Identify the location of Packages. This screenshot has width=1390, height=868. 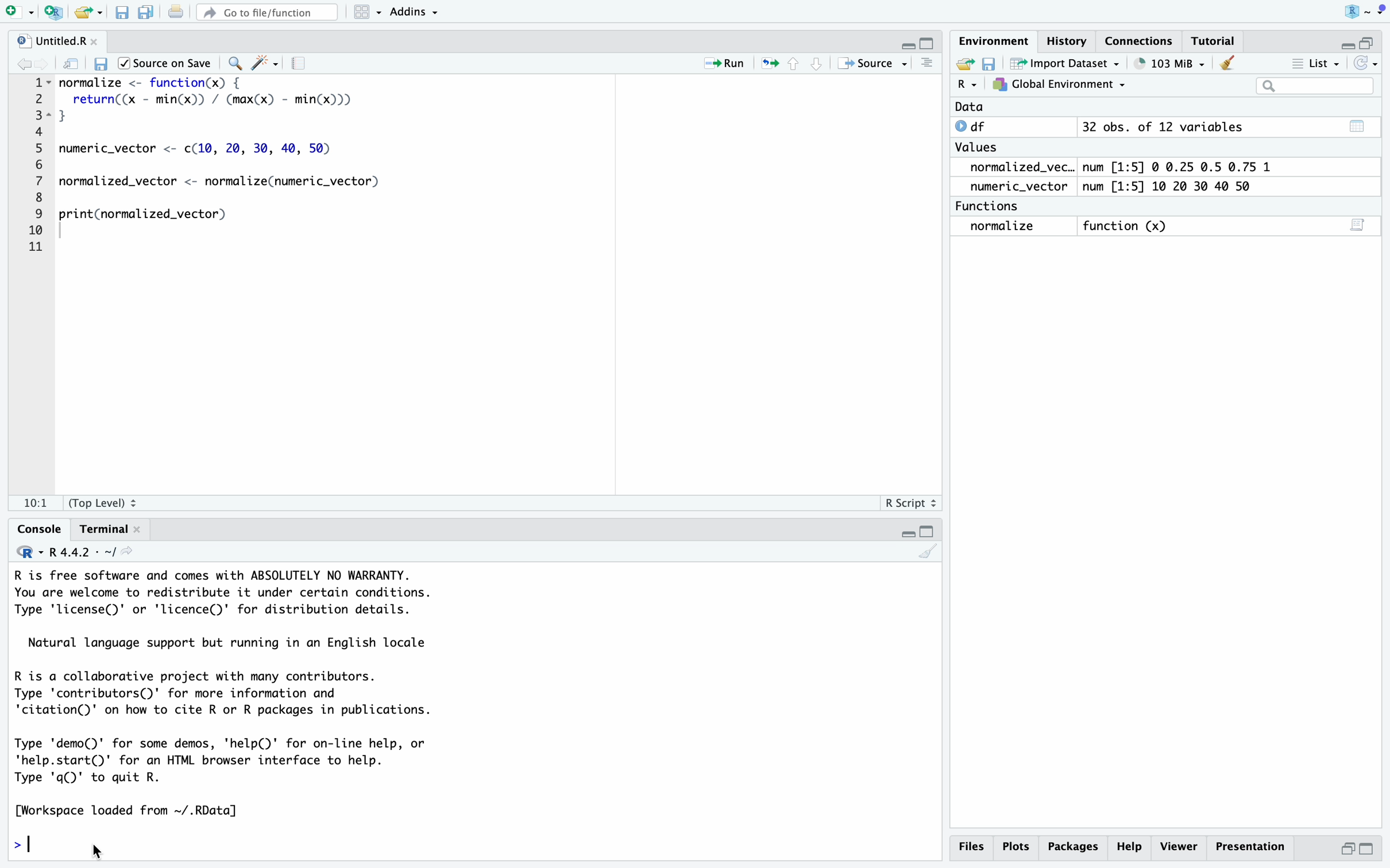
(1075, 847).